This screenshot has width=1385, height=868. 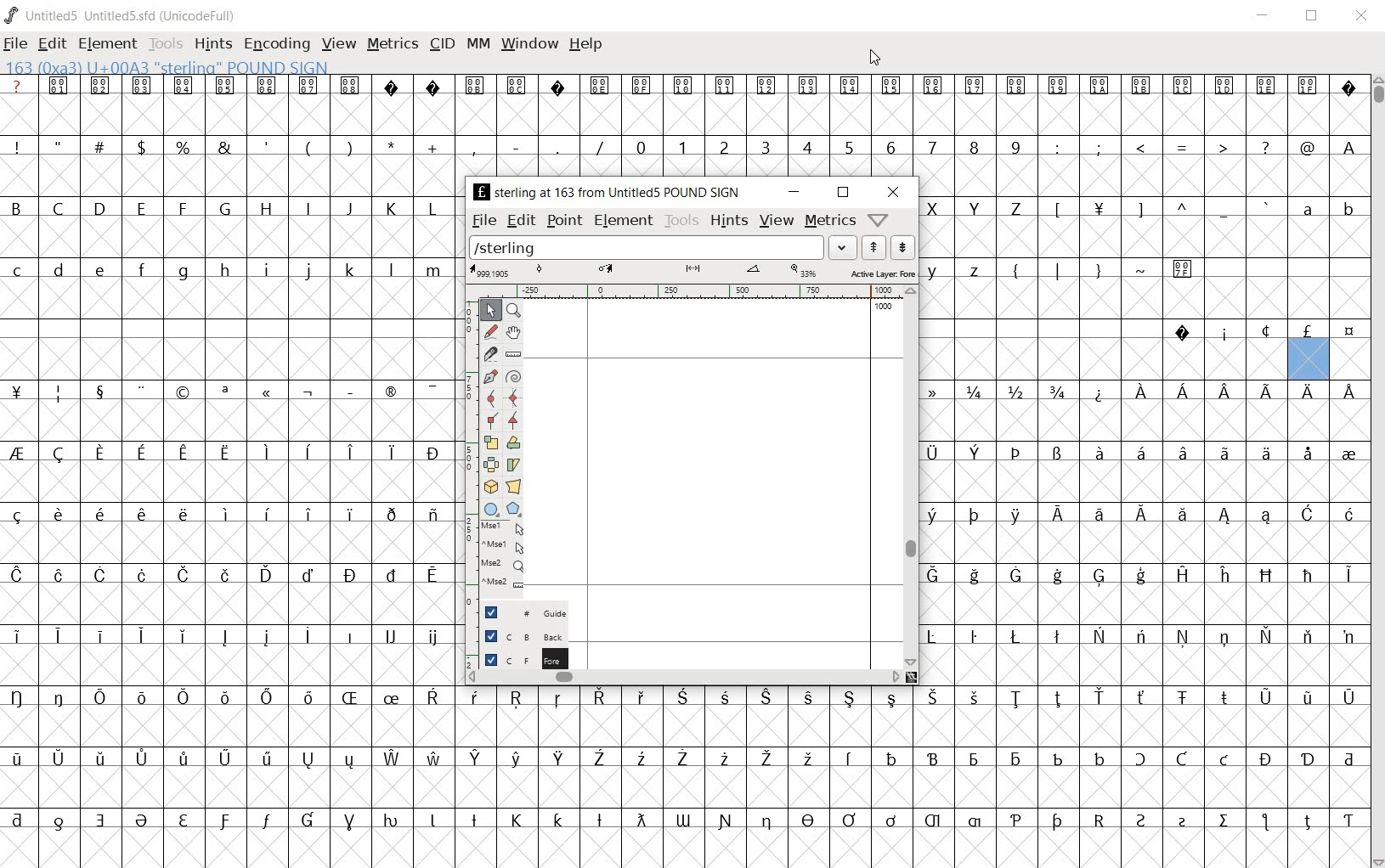 I want to click on Symbol, so click(x=352, y=86).